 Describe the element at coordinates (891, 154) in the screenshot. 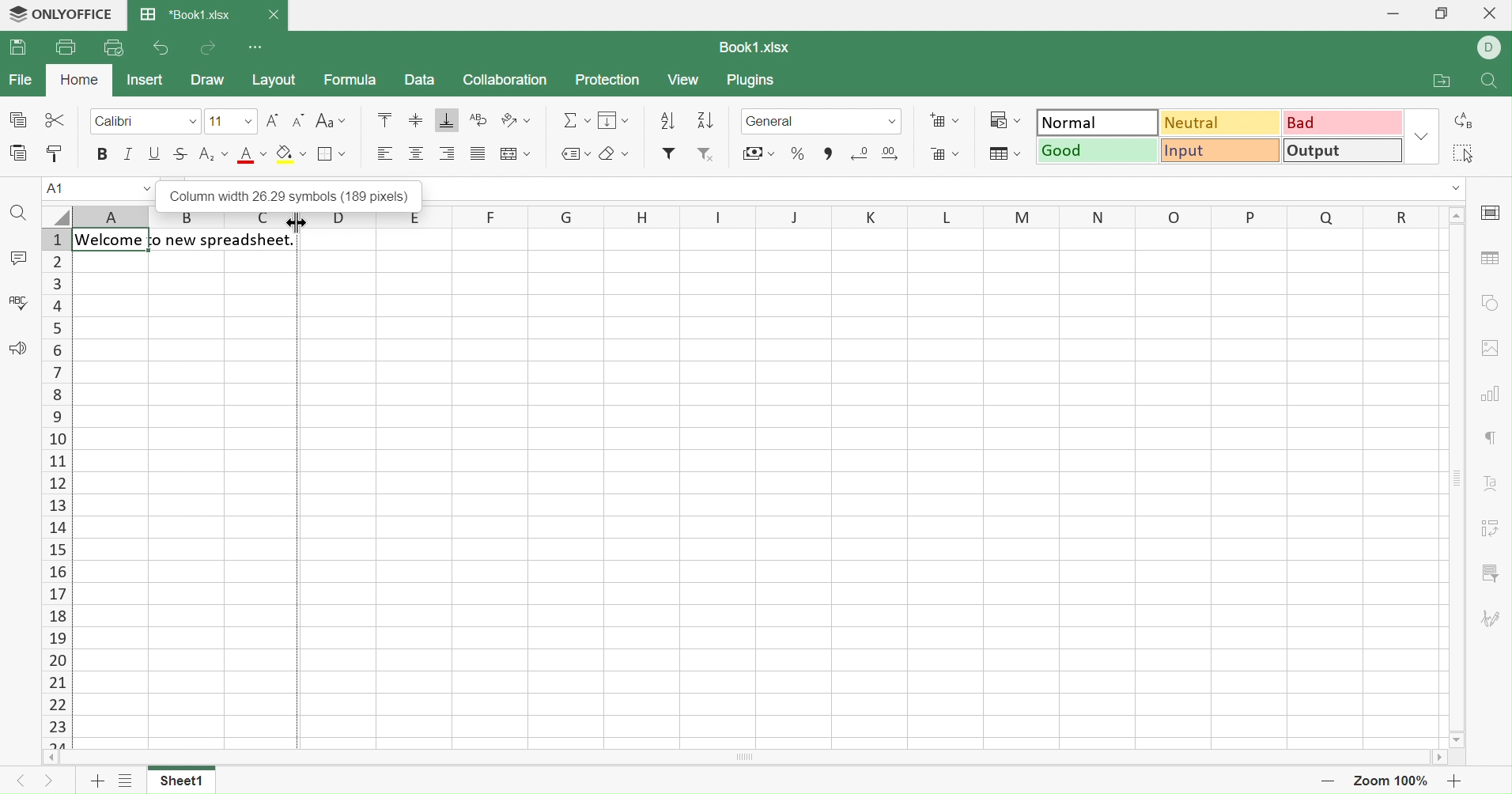

I see `Increase decimal` at that location.